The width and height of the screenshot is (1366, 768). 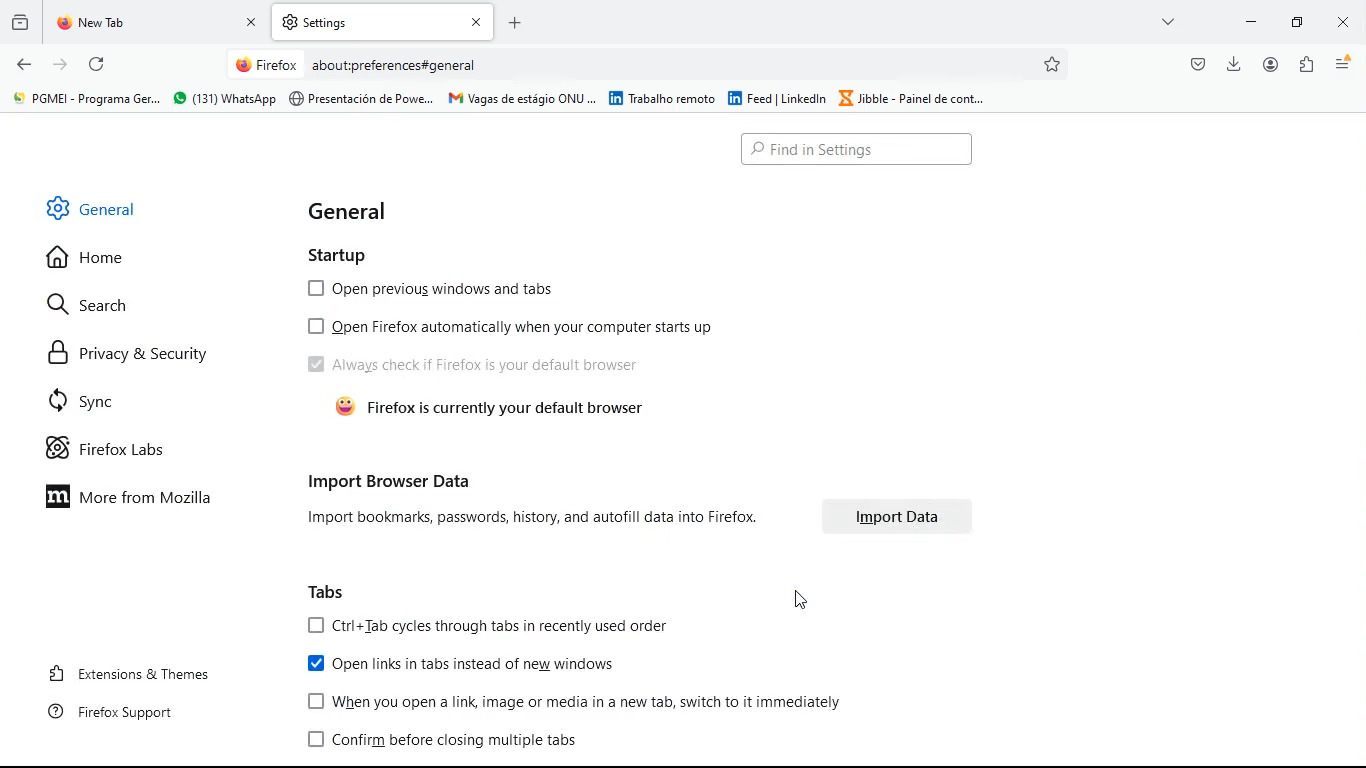 What do you see at coordinates (1169, 21) in the screenshot?
I see `more` at bounding box center [1169, 21].